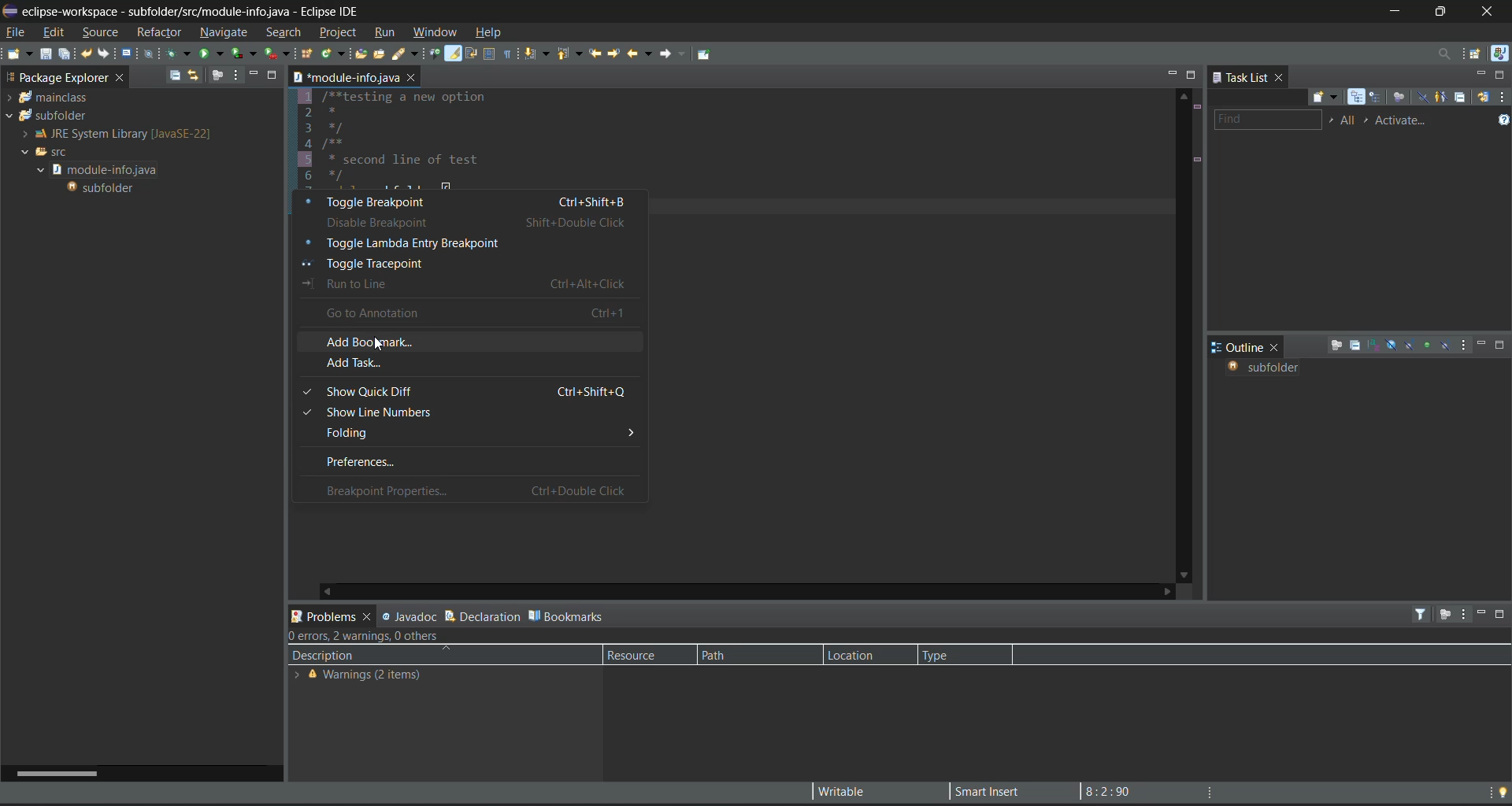  What do you see at coordinates (1196, 161) in the screenshot?
I see `changed lines marks` at bounding box center [1196, 161].